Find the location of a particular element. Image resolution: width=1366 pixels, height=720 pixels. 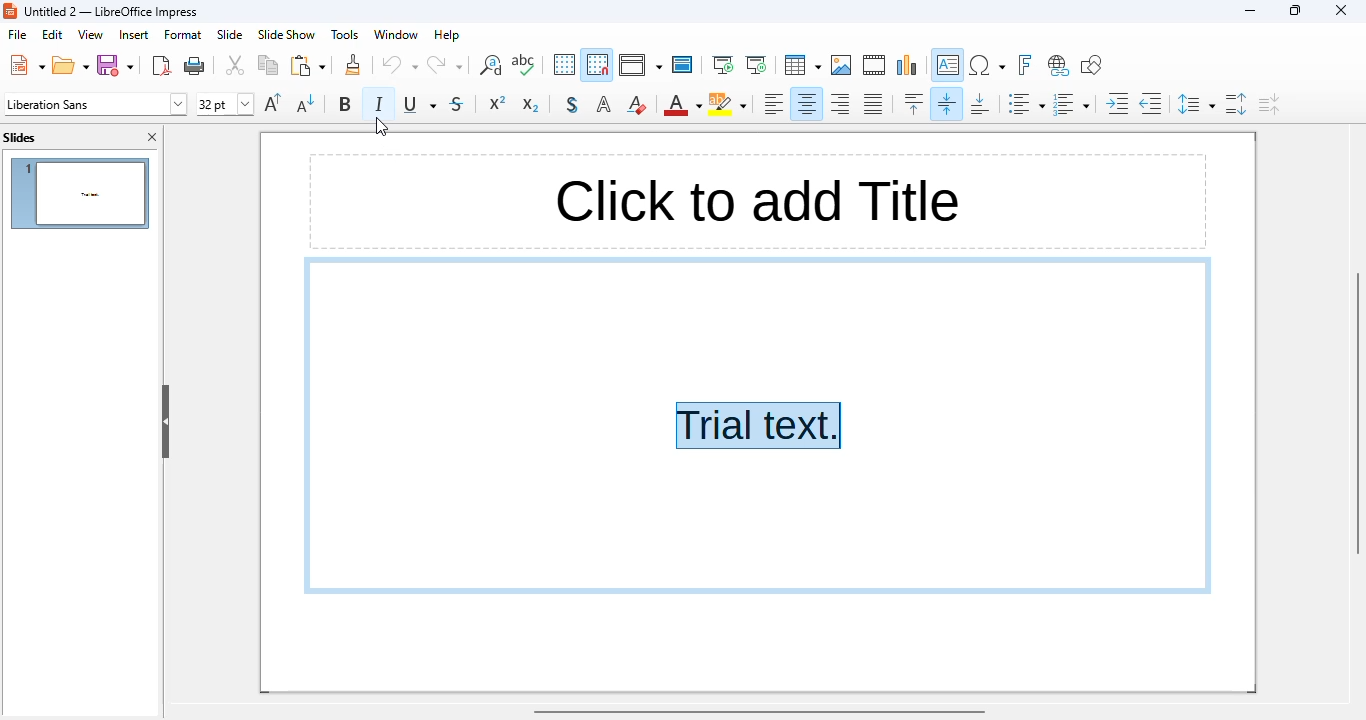

font color is located at coordinates (682, 106).